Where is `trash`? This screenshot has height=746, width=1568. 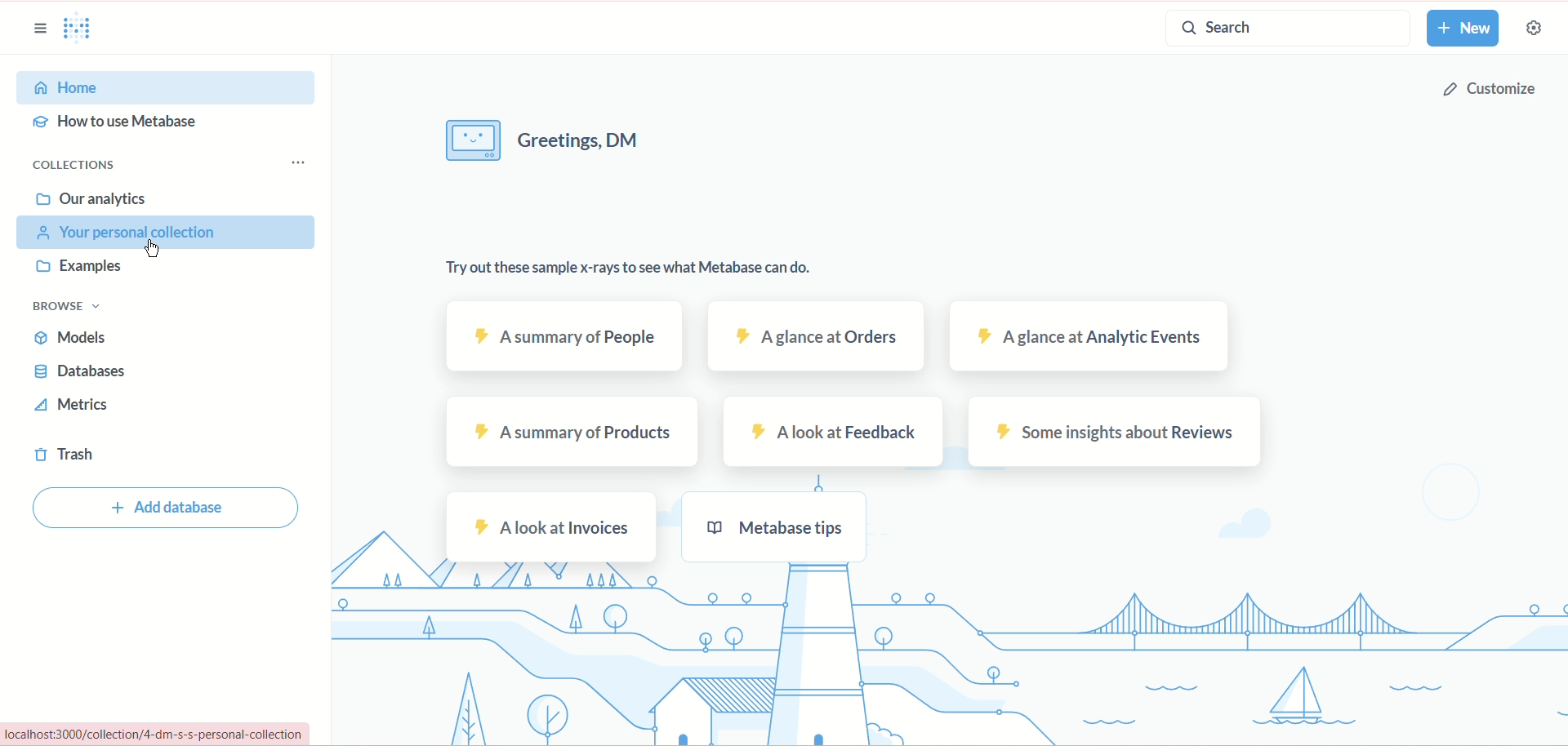
trash is located at coordinates (67, 452).